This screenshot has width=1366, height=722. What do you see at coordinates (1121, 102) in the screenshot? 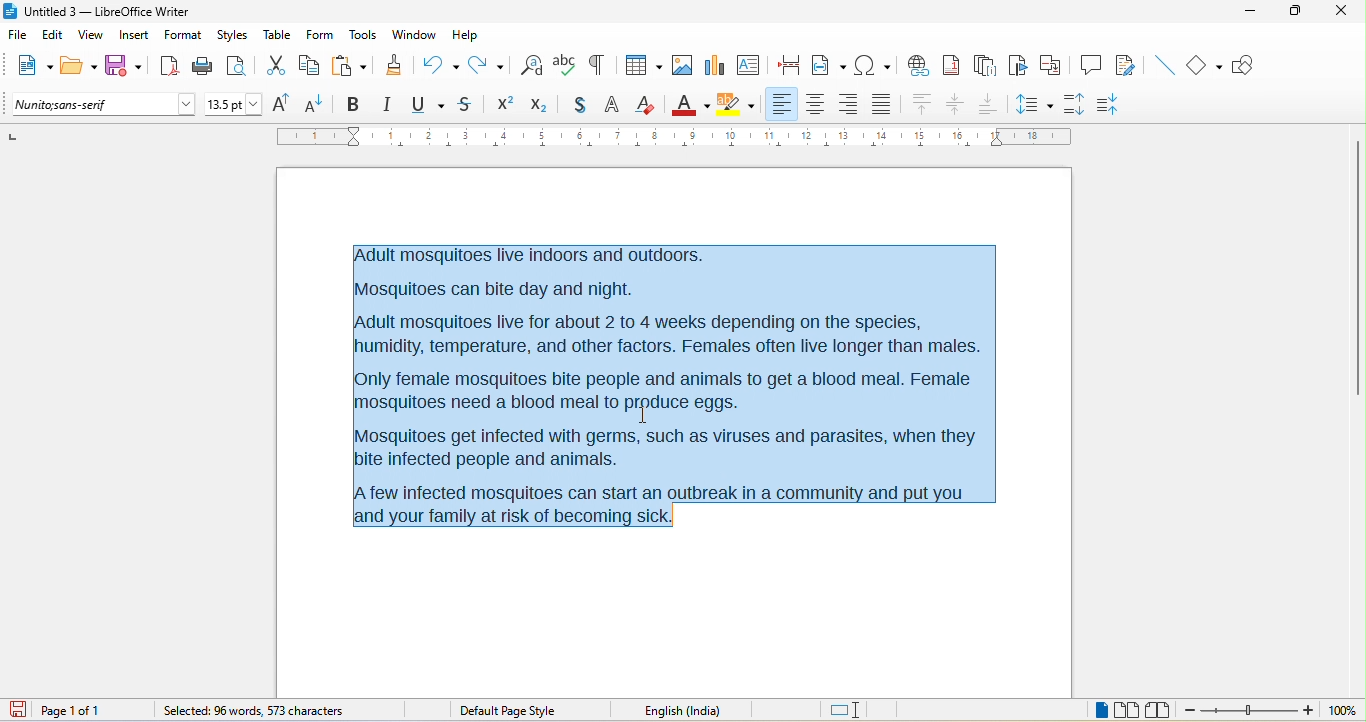
I see `decrease paragraph spacing` at bounding box center [1121, 102].